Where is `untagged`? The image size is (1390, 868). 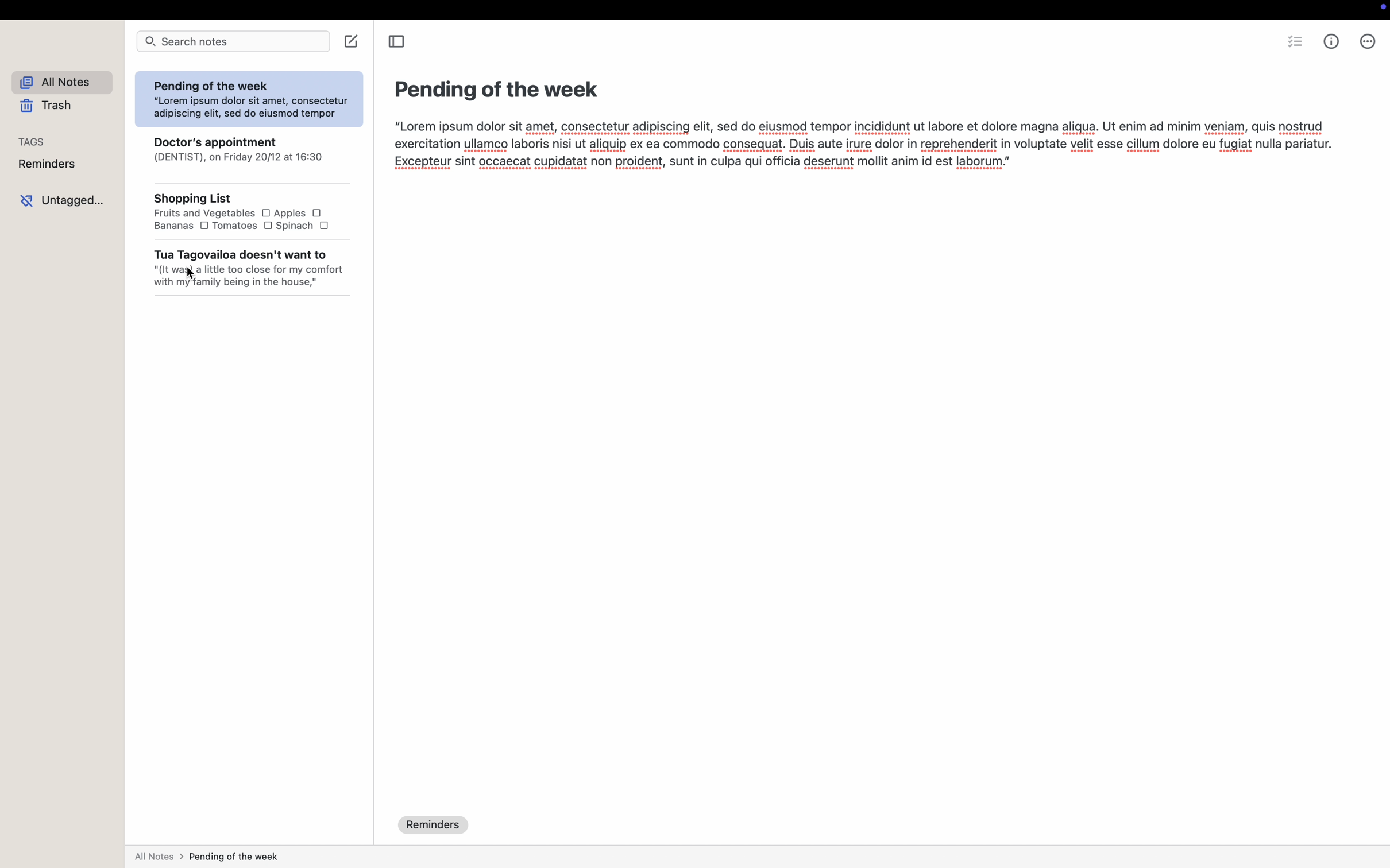
untagged is located at coordinates (63, 200).